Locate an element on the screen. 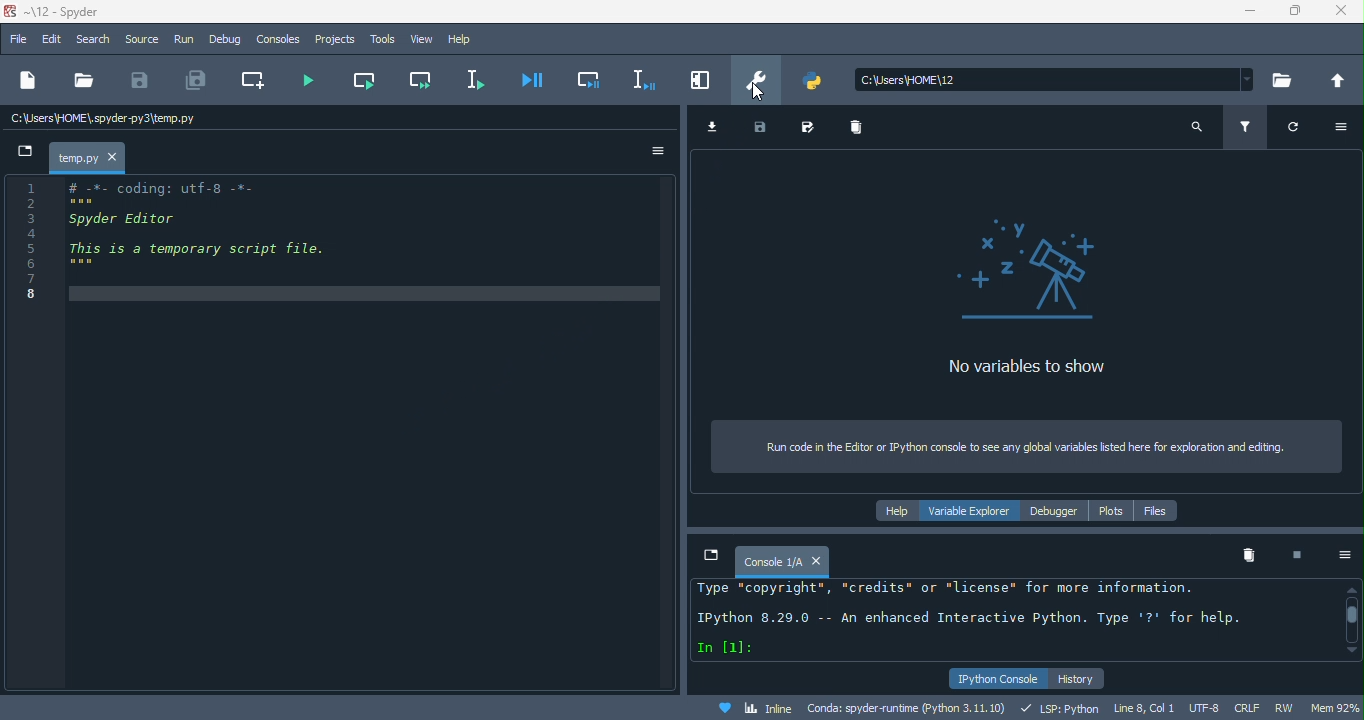 This screenshot has width=1364, height=720. save is located at coordinates (769, 125).